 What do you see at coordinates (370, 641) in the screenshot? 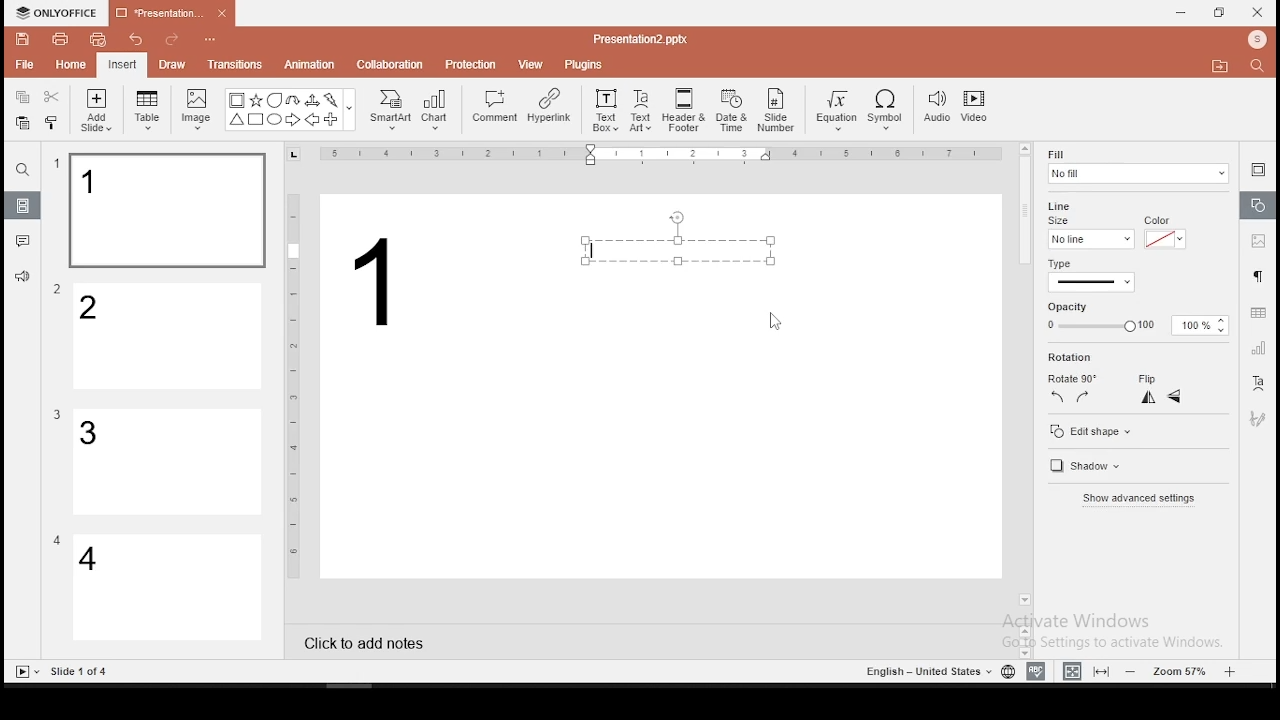
I see `click to add notes` at bounding box center [370, 641].